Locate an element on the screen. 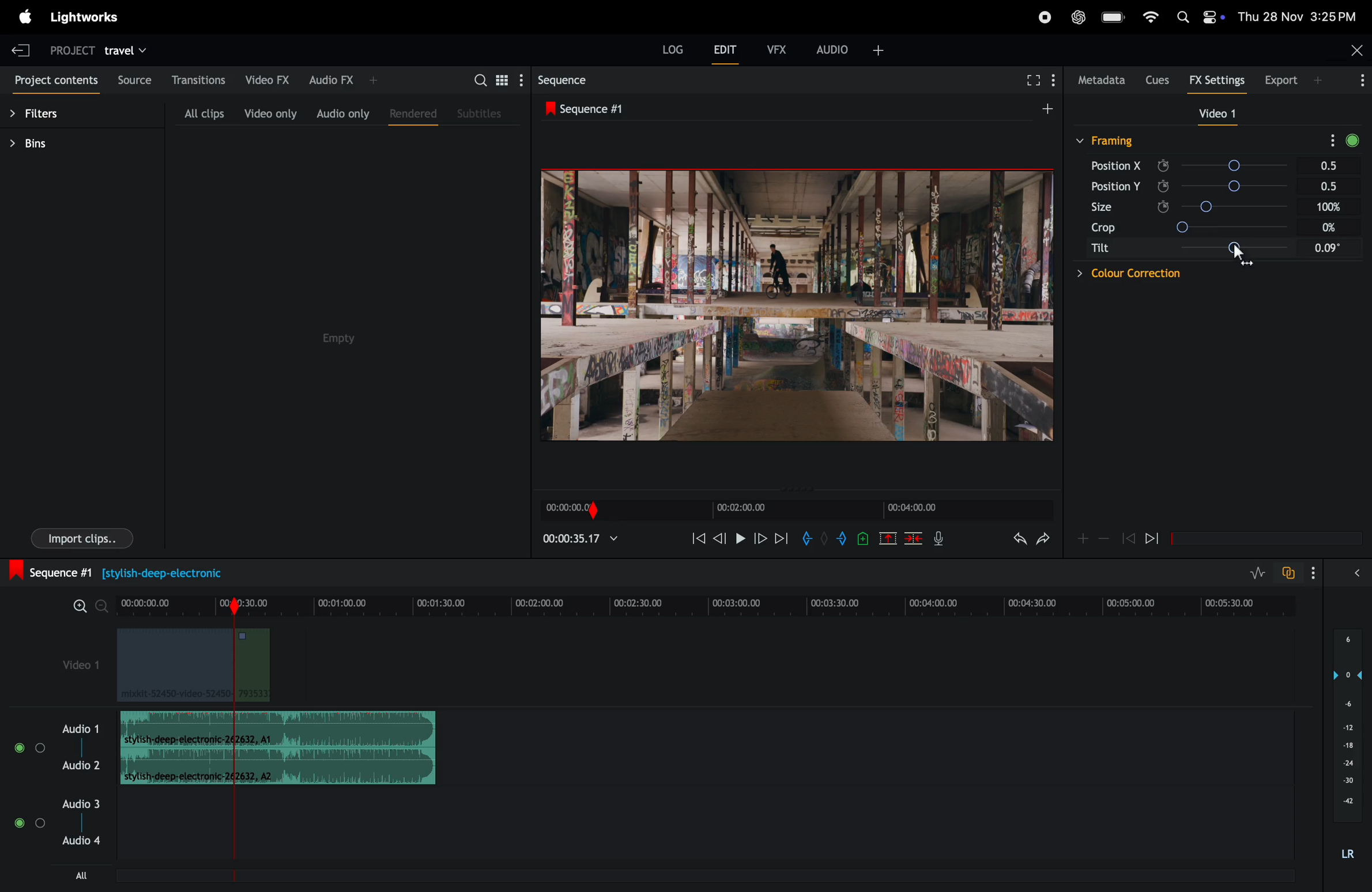  nudge one frame back is located at coordinates (720, 542).